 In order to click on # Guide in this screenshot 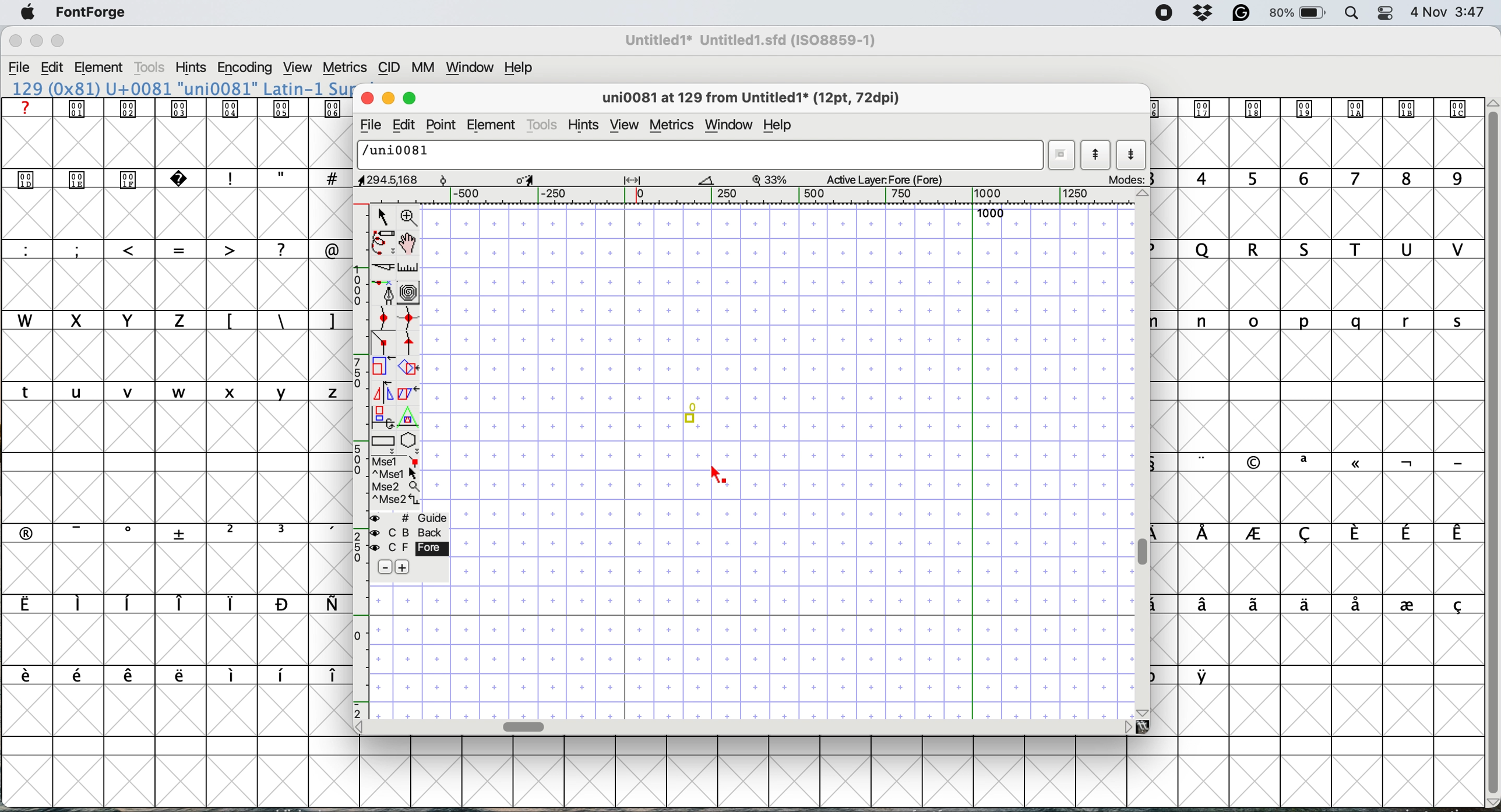, I will do `click(411, 518)`.